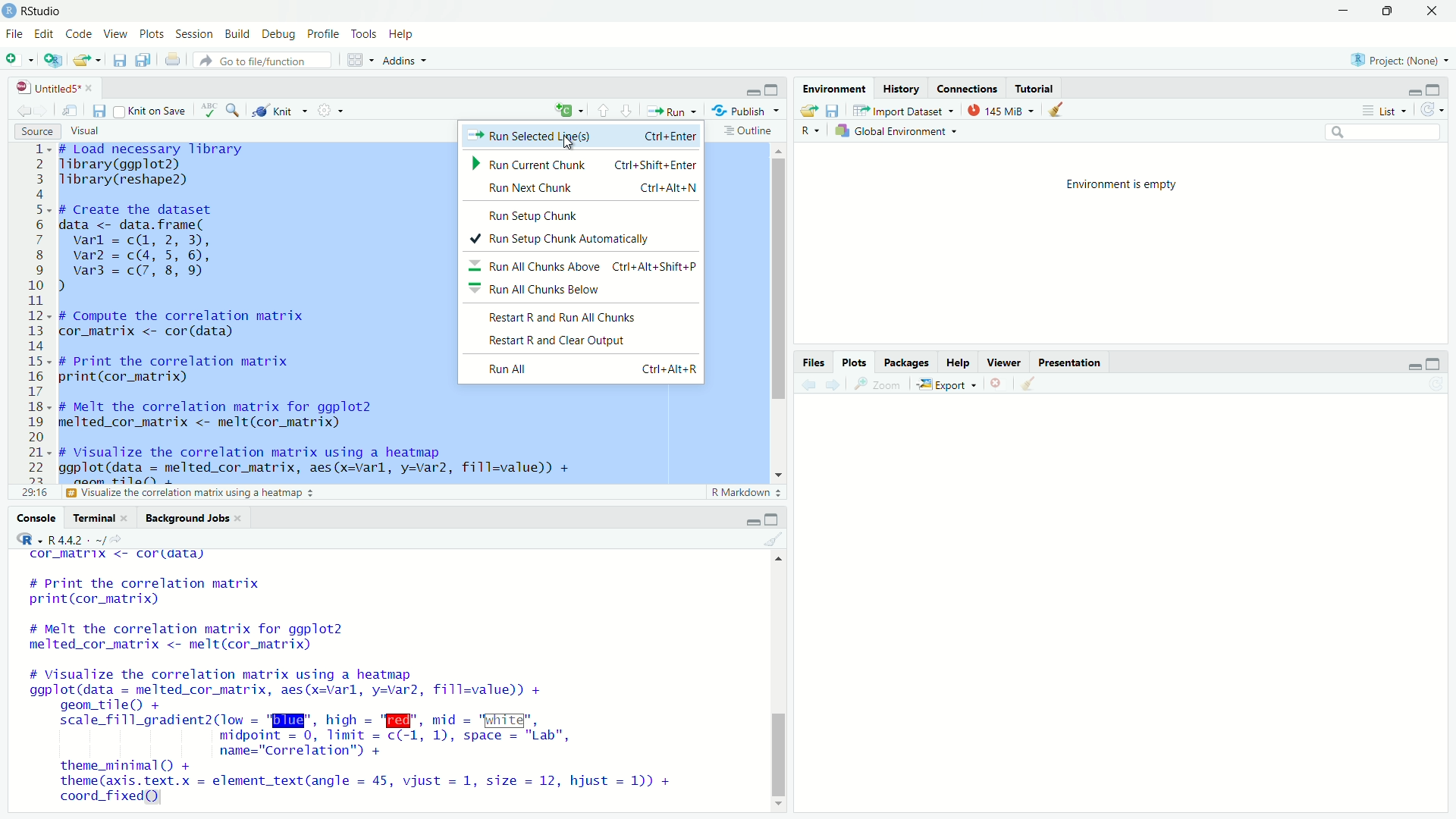 The image size is (1456, 819). I want to click on restart R and clear output, so click(585, 339).